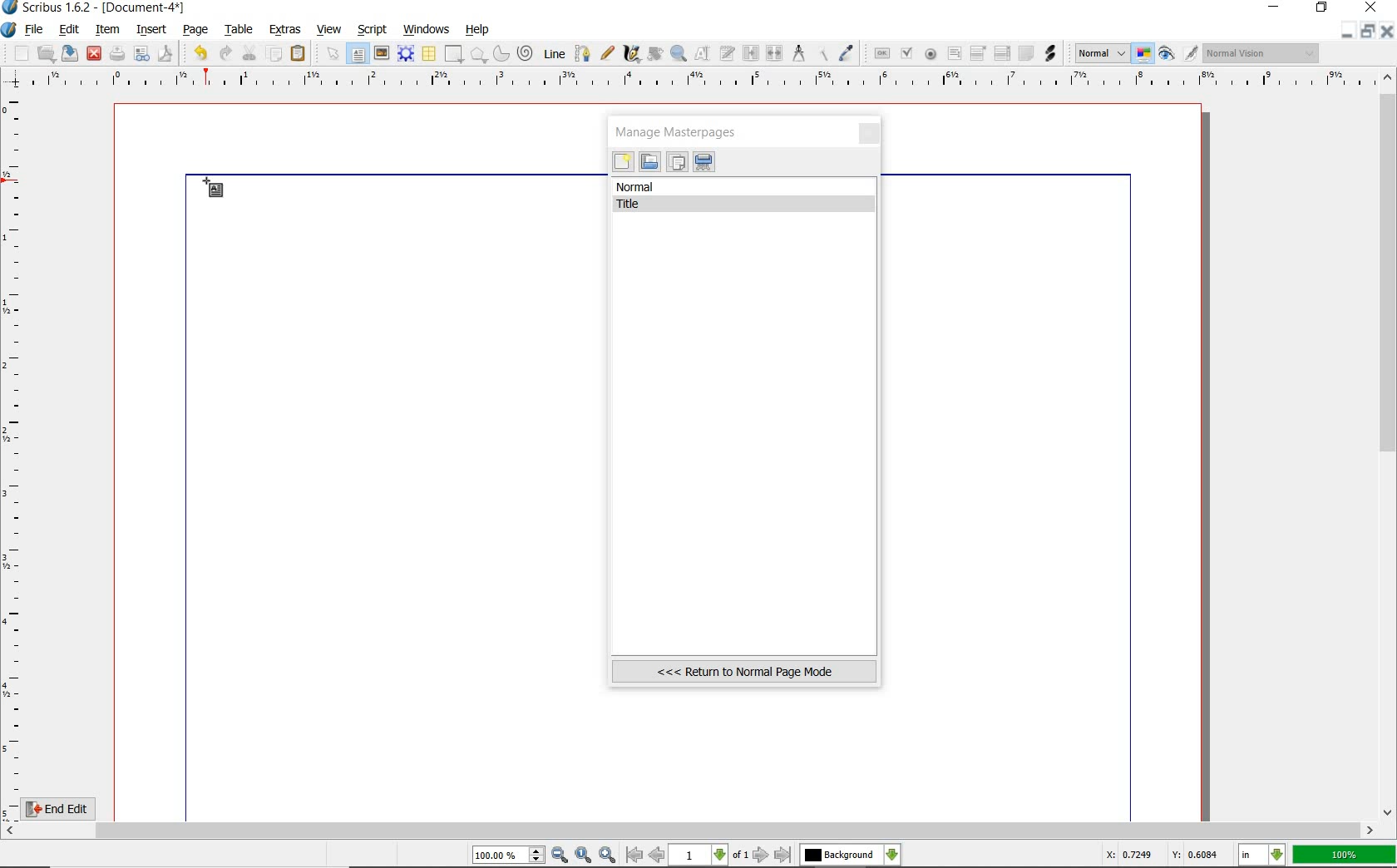 This screenshot has height=868, width=1397. Describe the element at coordinates (1262, 55) in the screenshot. I see `Normal Vision` at that location.